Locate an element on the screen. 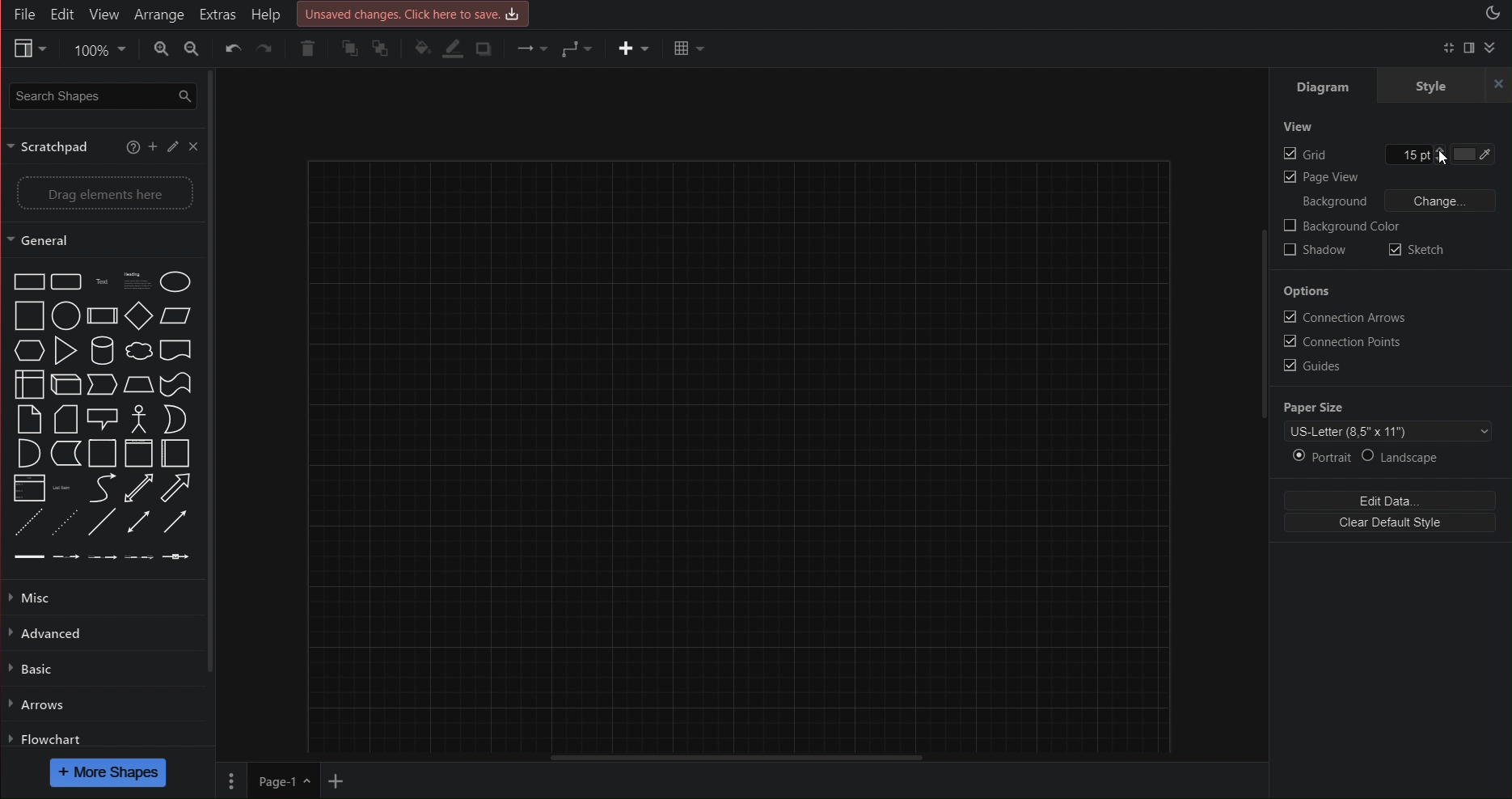 This screenshot has width=1512, height=799. both side arrows is located at coordinates (137, 488).